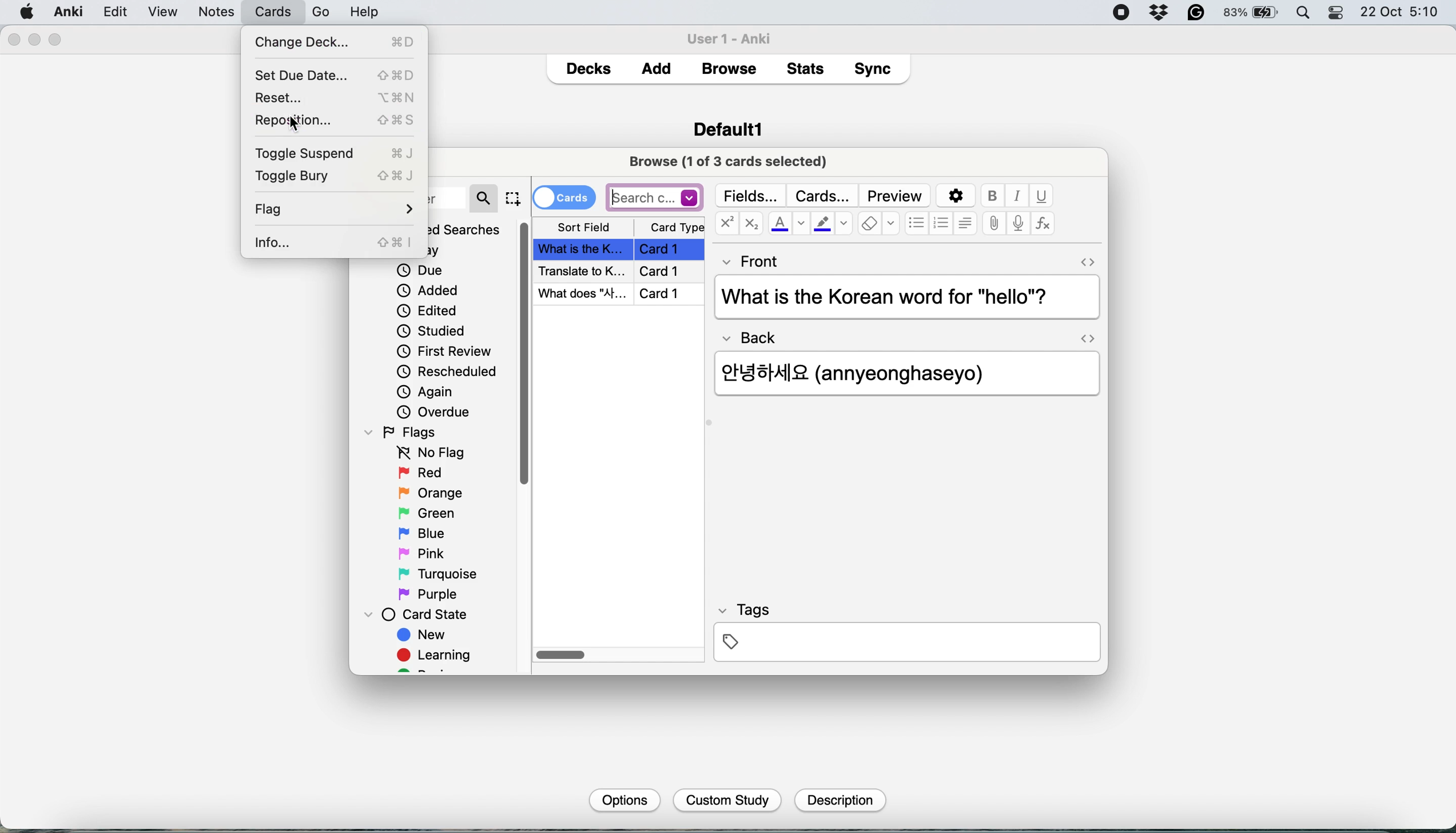  What do you see at coordinates (335, 211) in the screenshot?
I see `flag` at bounding box center [335, 211].